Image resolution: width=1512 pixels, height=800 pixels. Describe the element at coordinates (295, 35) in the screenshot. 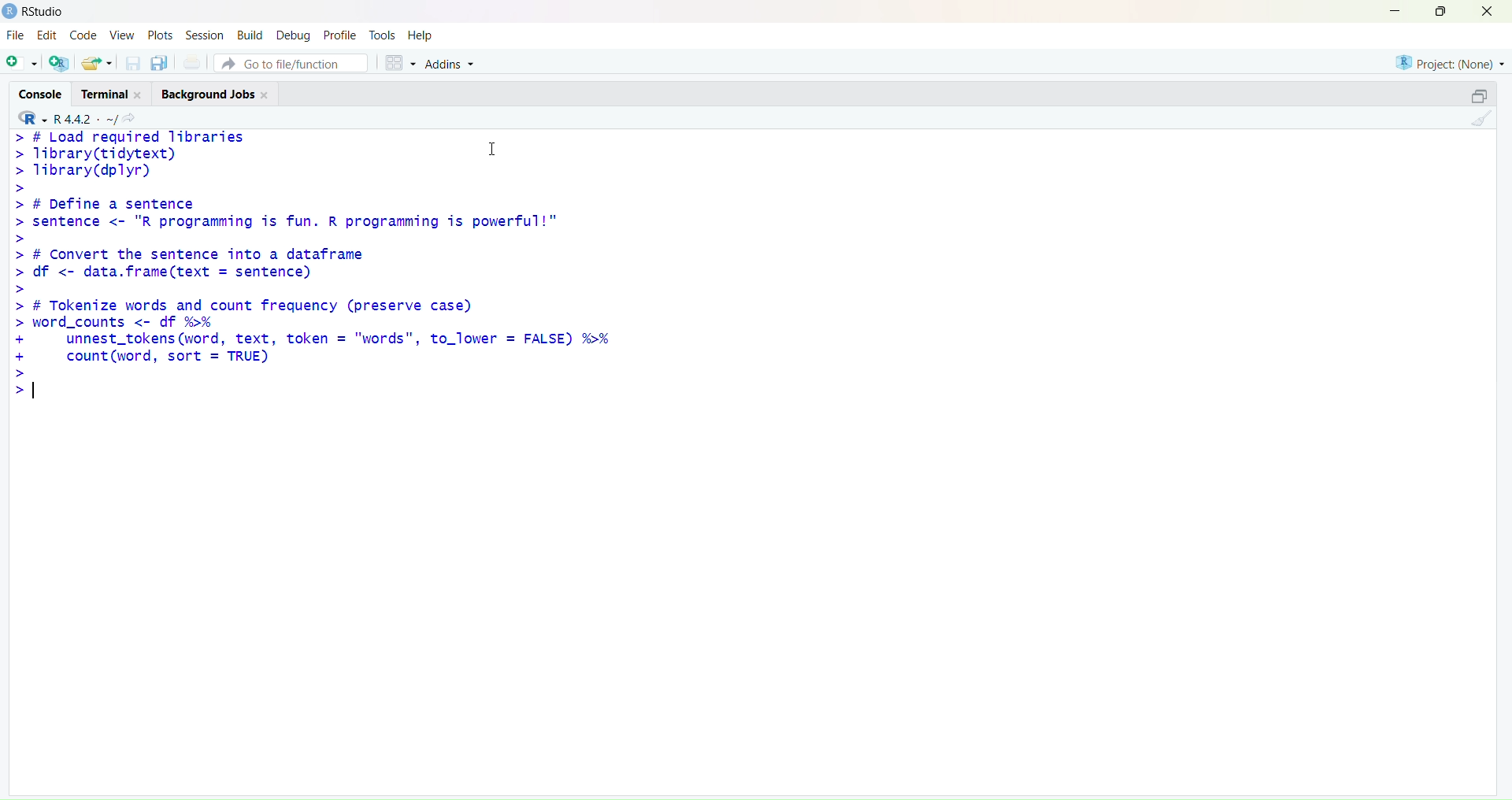

I see `debug` at that location.